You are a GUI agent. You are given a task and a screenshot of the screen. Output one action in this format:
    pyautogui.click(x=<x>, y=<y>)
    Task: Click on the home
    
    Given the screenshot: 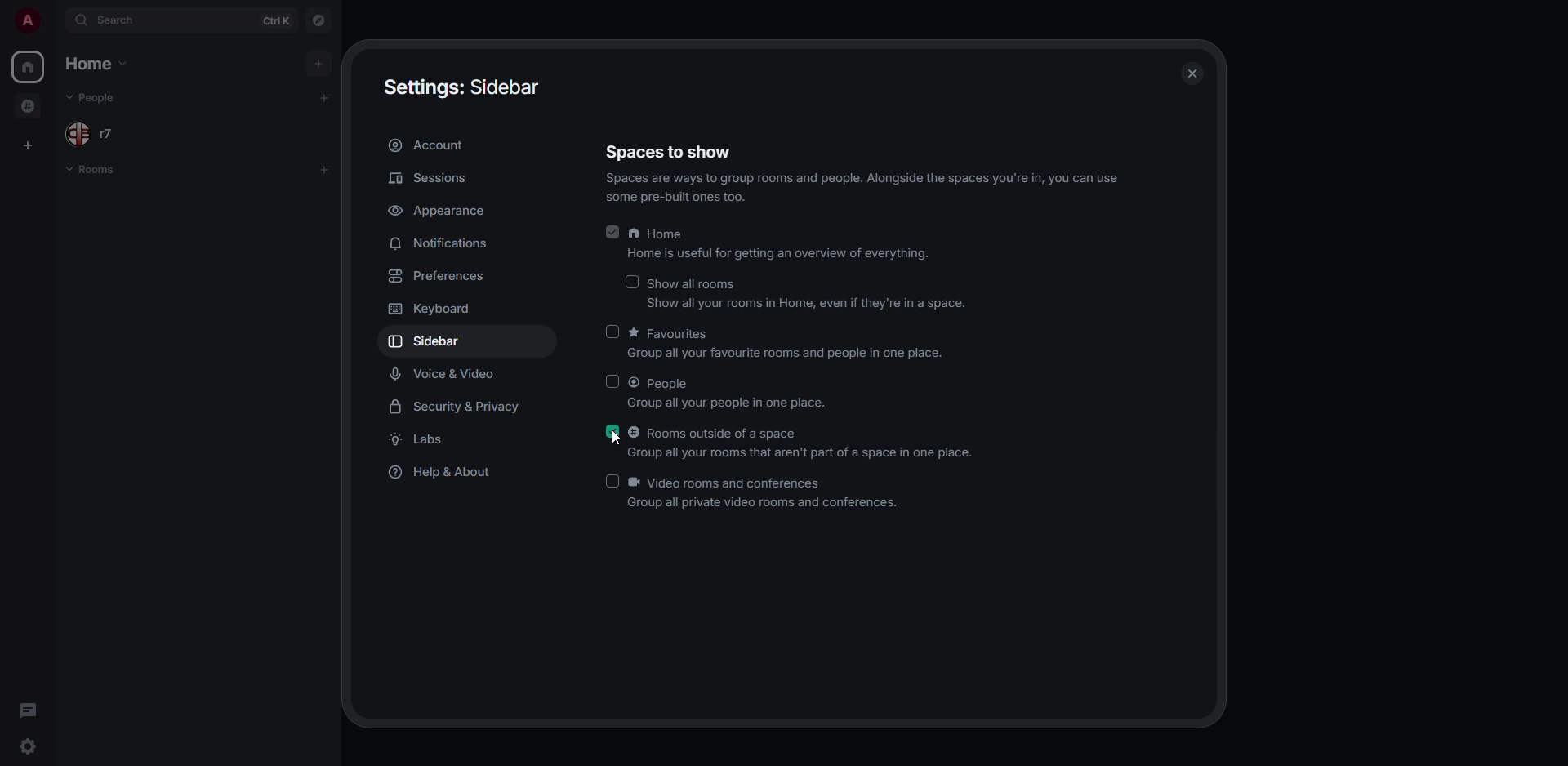 What is the action you would take?
    pyautogui.click(x=29, y=67)
    